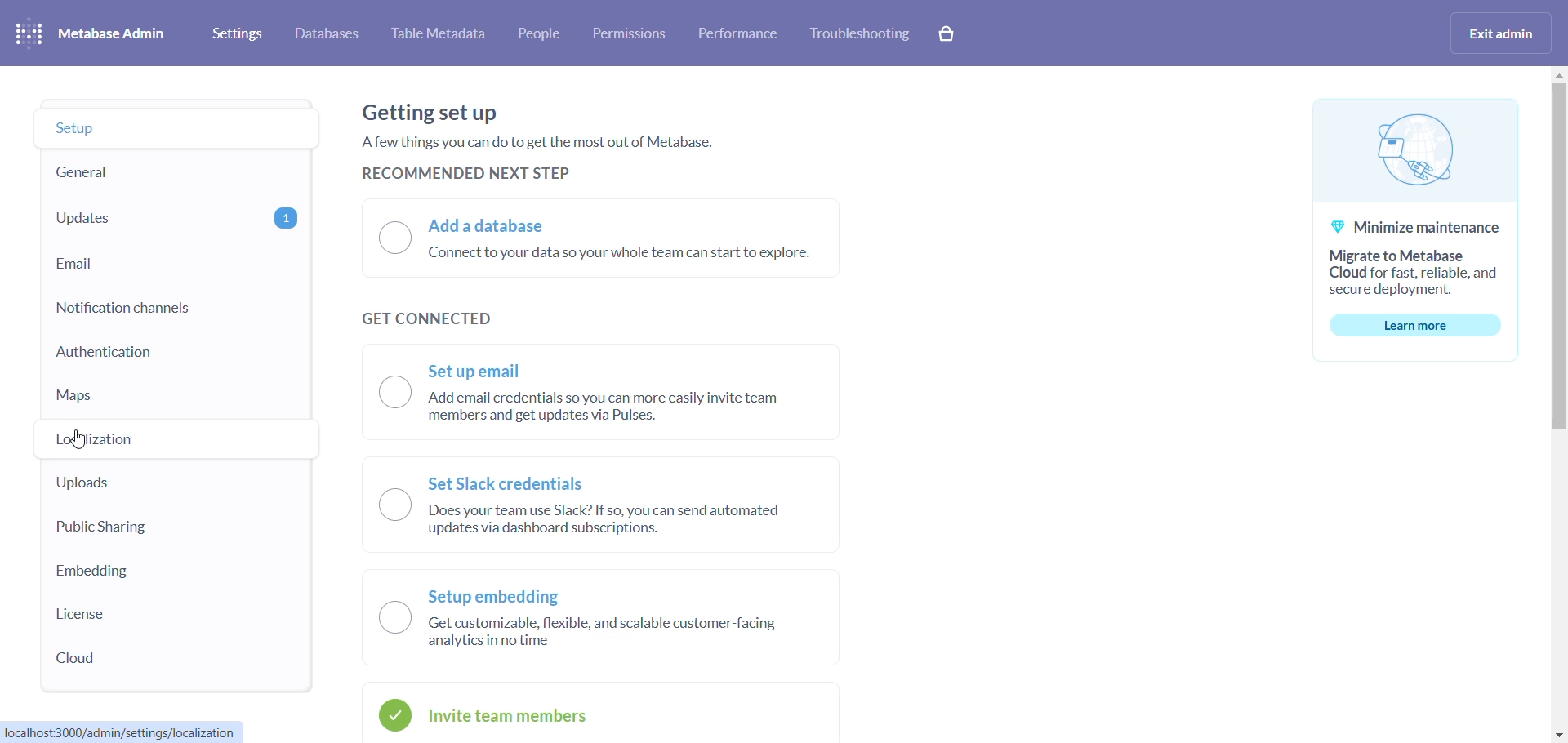  I want to click on notification channels, so click(170, 309).